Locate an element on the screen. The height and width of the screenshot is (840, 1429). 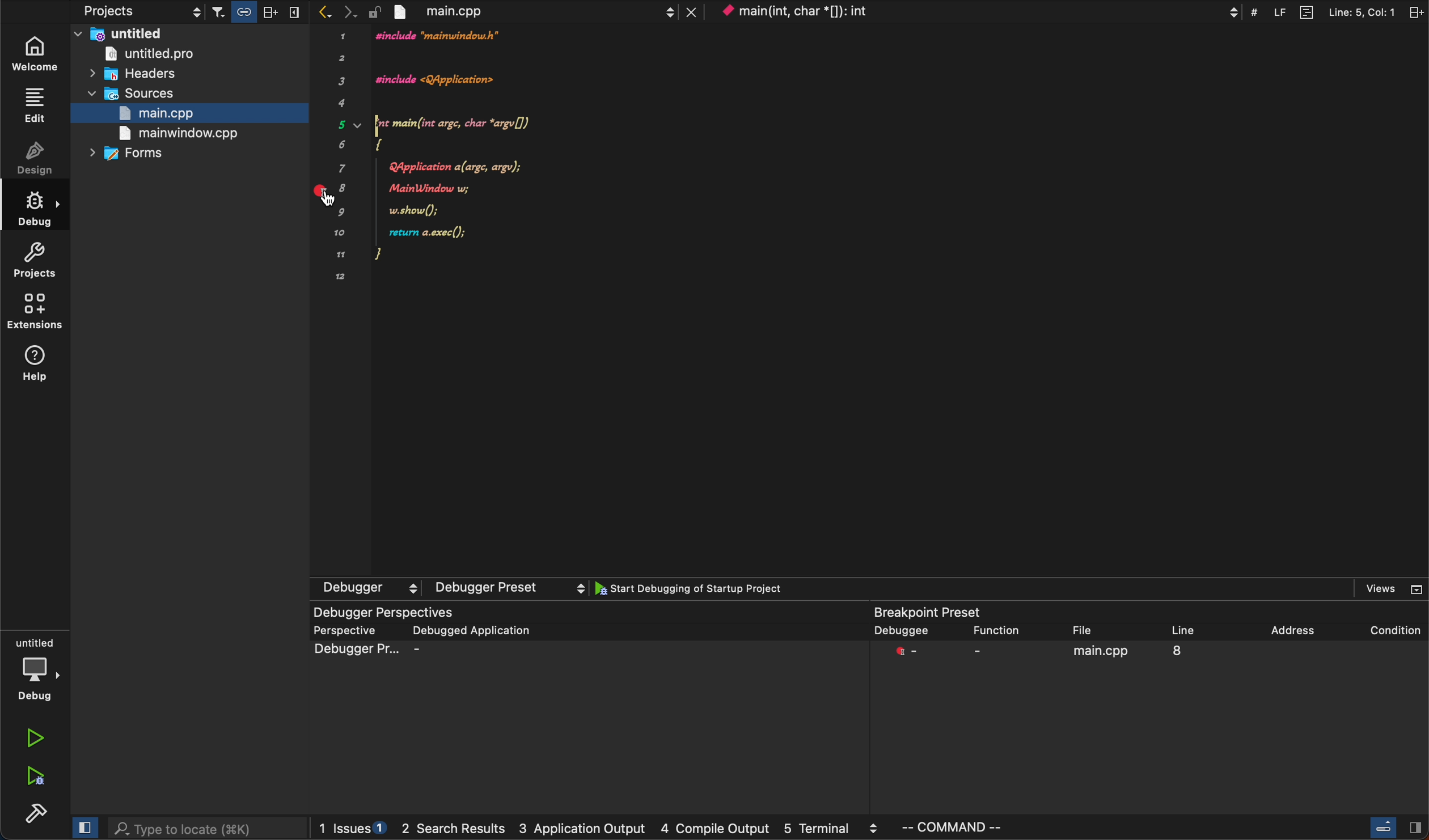
issues is located at coordinates (352, 828).